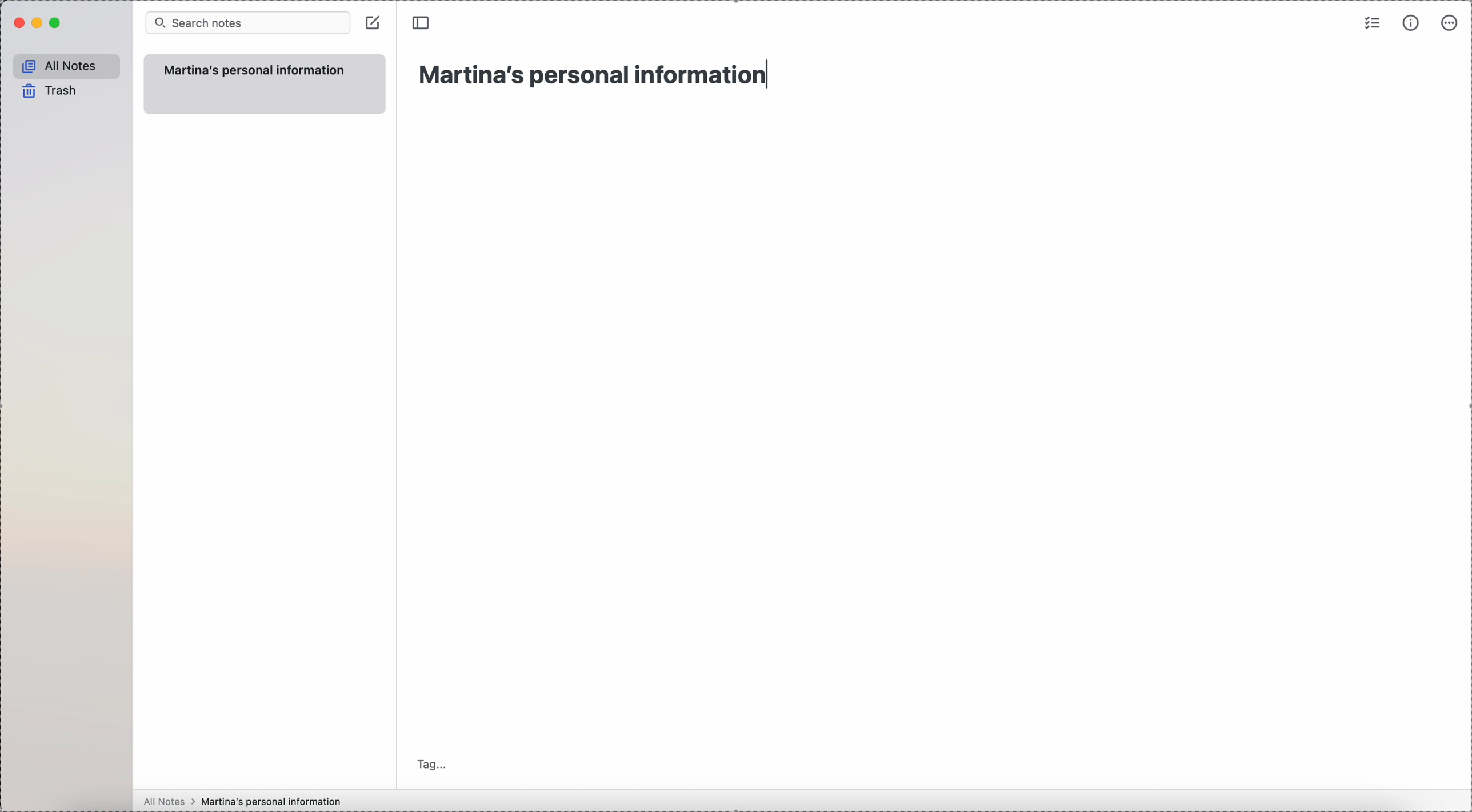  I want to click on maximize Simplenote, so click(56, 23).